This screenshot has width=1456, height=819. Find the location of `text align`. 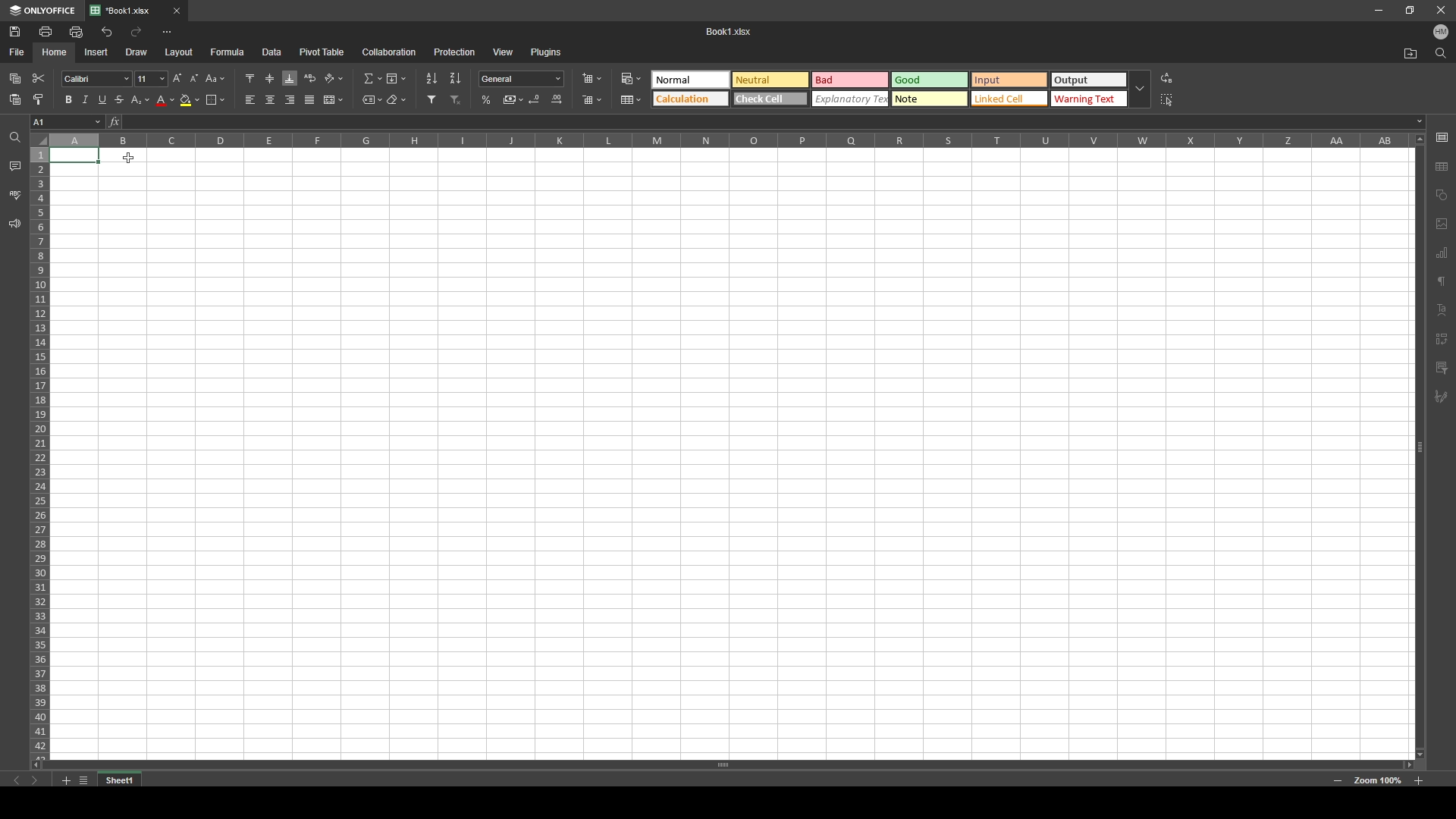

text align is located at coordinates (1443, 309).